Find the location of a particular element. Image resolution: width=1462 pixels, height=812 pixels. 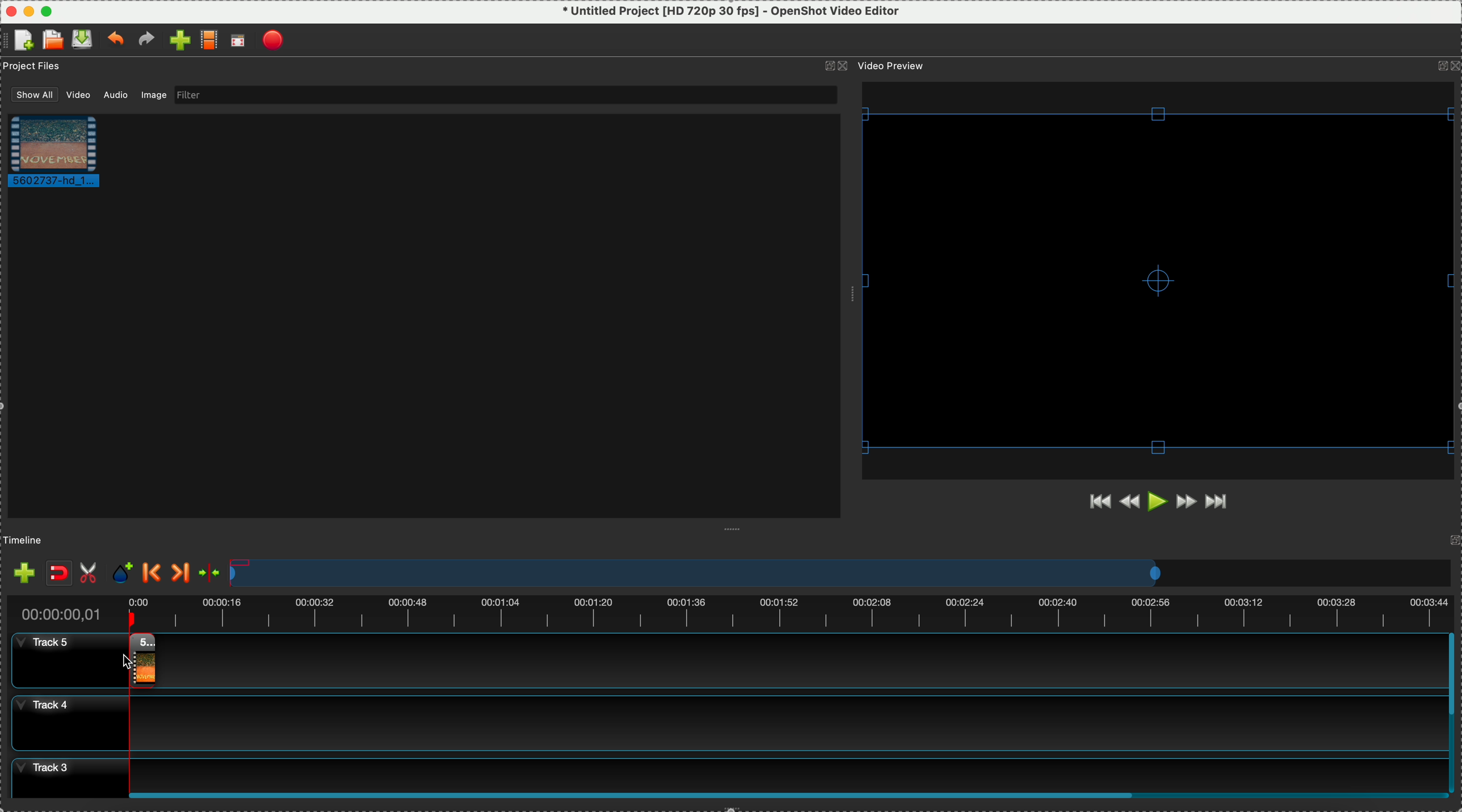

close is located at coordinates (9, 9).